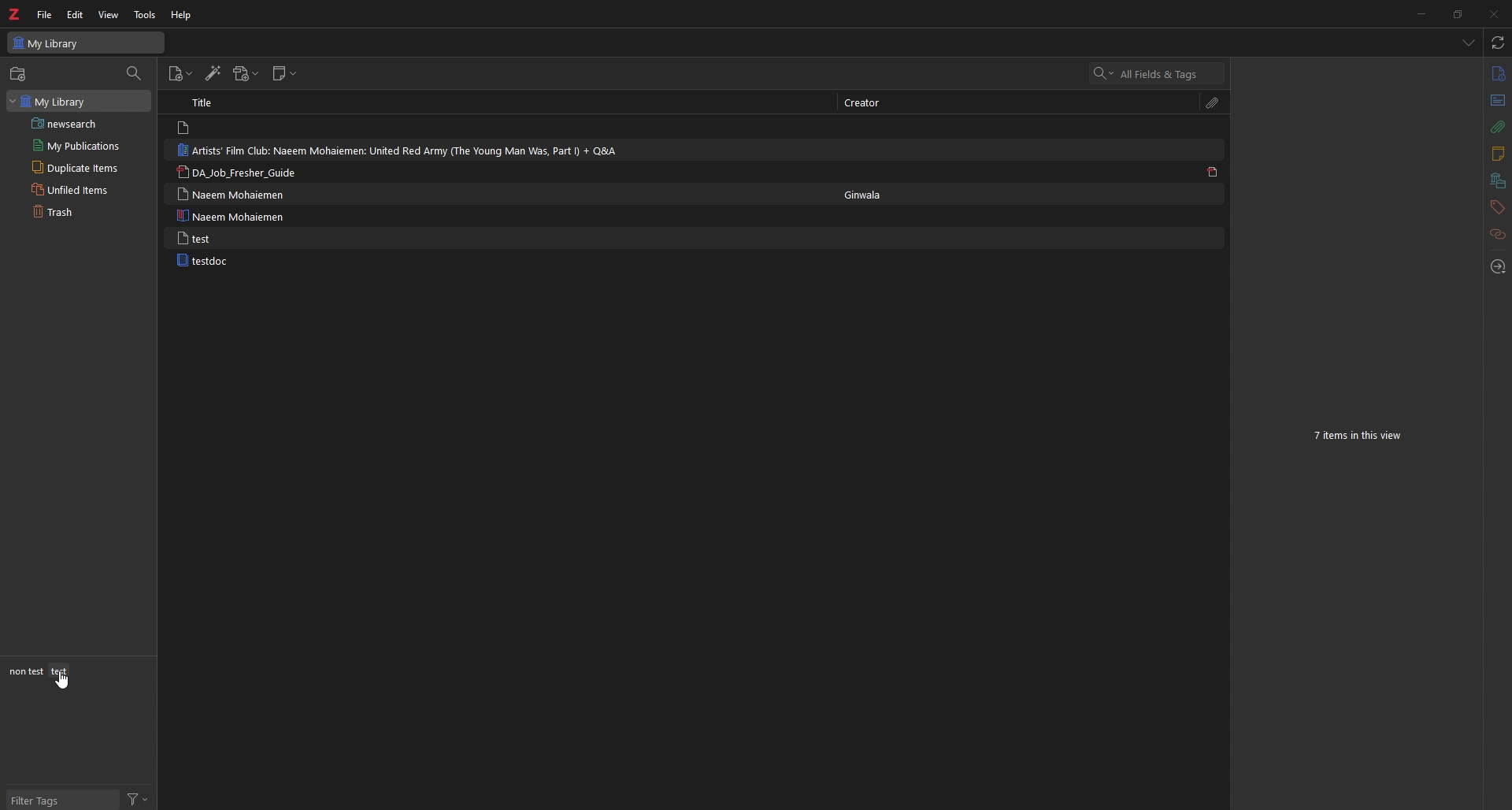  I want to click on file, so click(45, 15).